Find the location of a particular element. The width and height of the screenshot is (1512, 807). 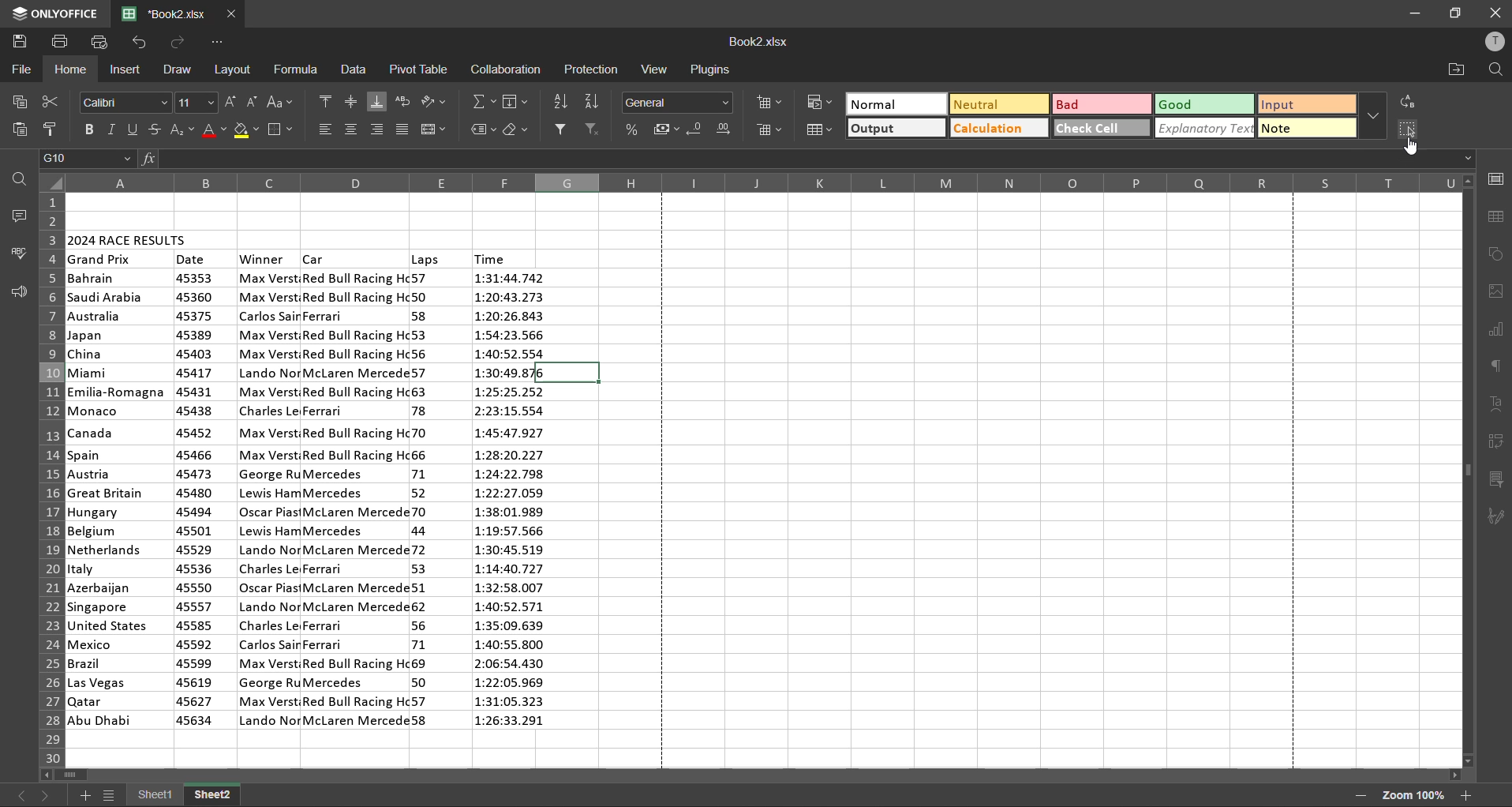

find is located at coordinates (18, 180).